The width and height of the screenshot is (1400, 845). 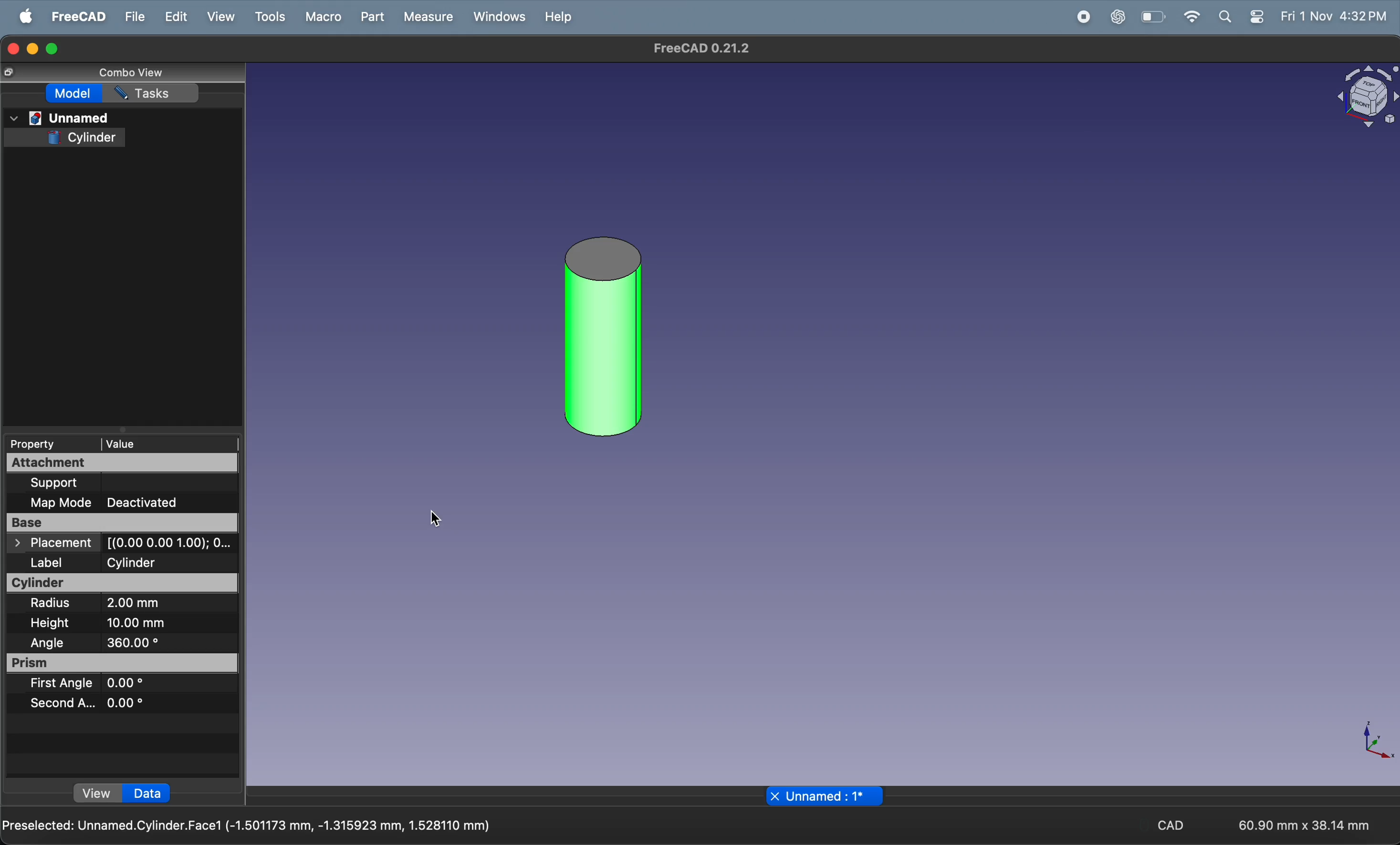 What do you see at coordinates (98, 793) in the screenshot?
I see `view` at bounding box center [98, 793].